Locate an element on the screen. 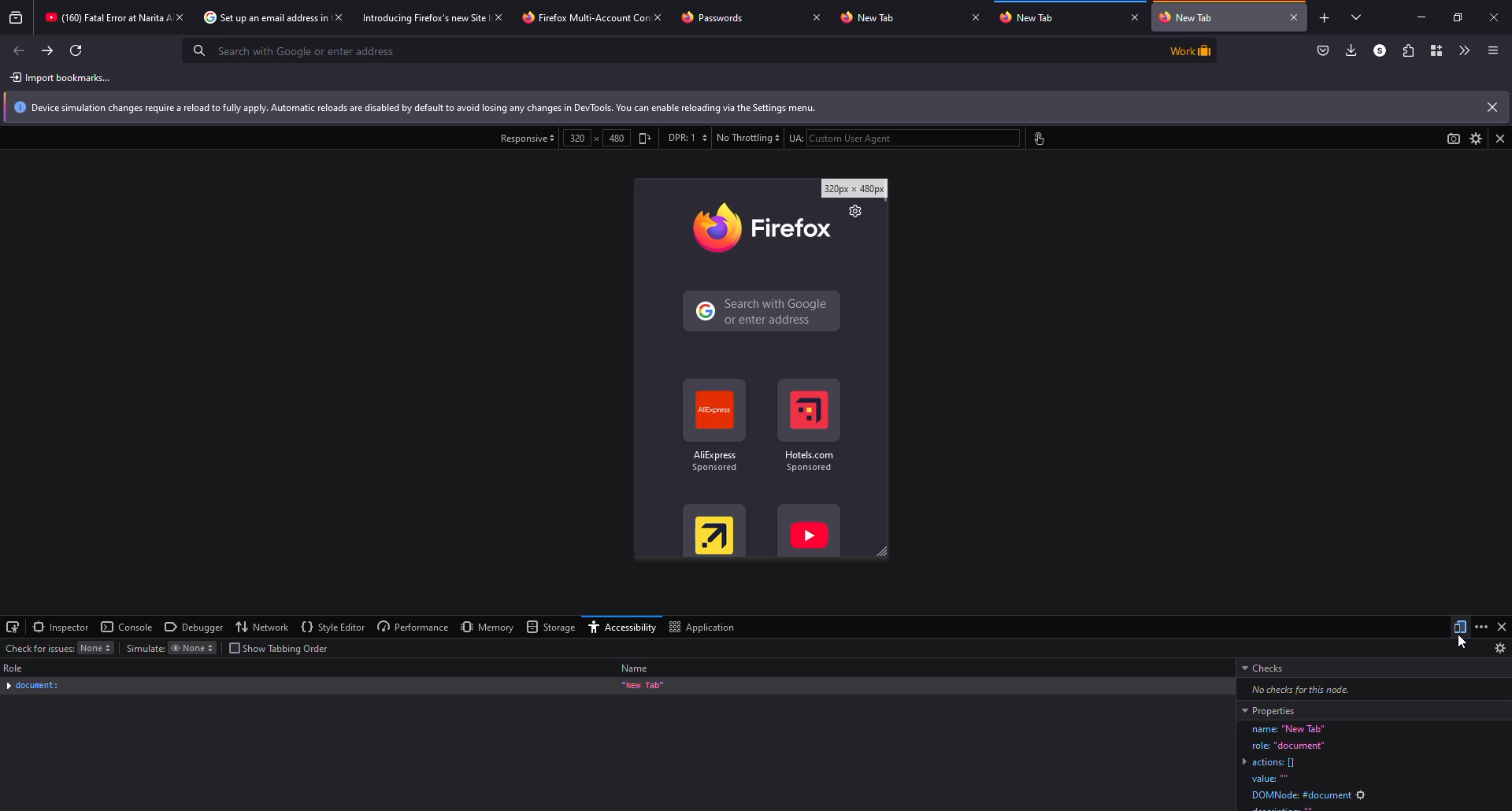 The width and height of the screenshot is (1512, 811). debugger is located at coordinates (195, 628).